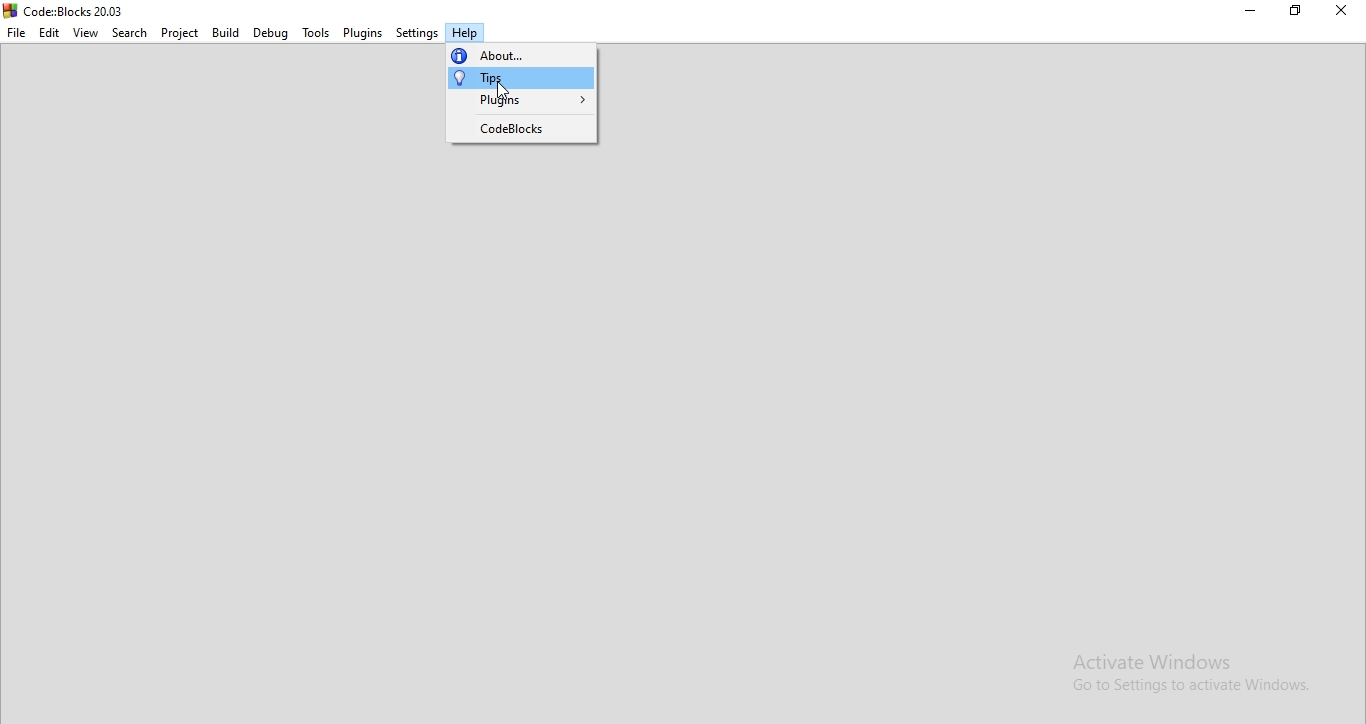 This screenshot has width=1366, height=724. I want to click on Project , so click(178, 33).